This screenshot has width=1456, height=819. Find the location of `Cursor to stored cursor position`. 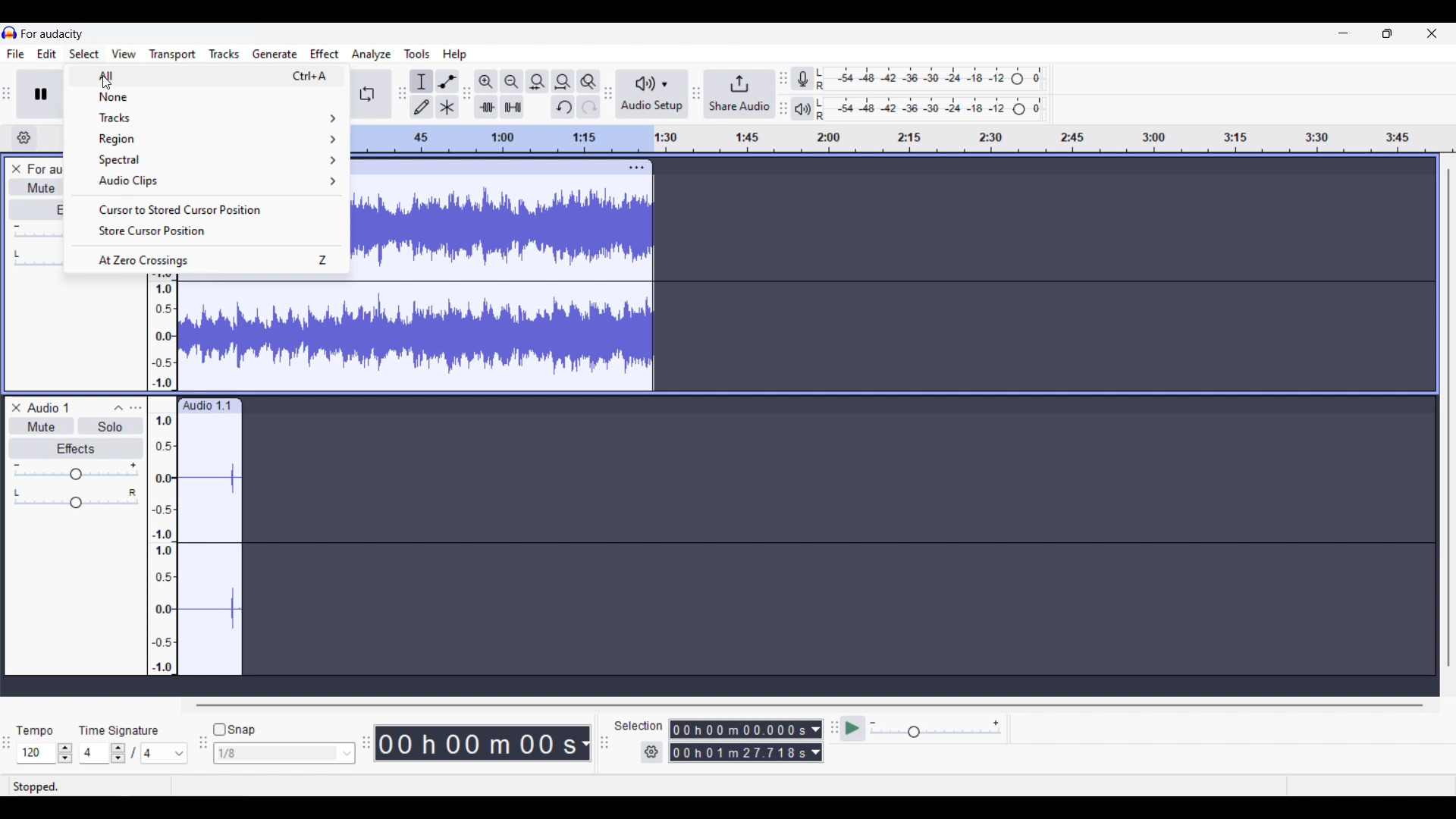

Cursor to stored cursor position is located at coordinates (207, 209).